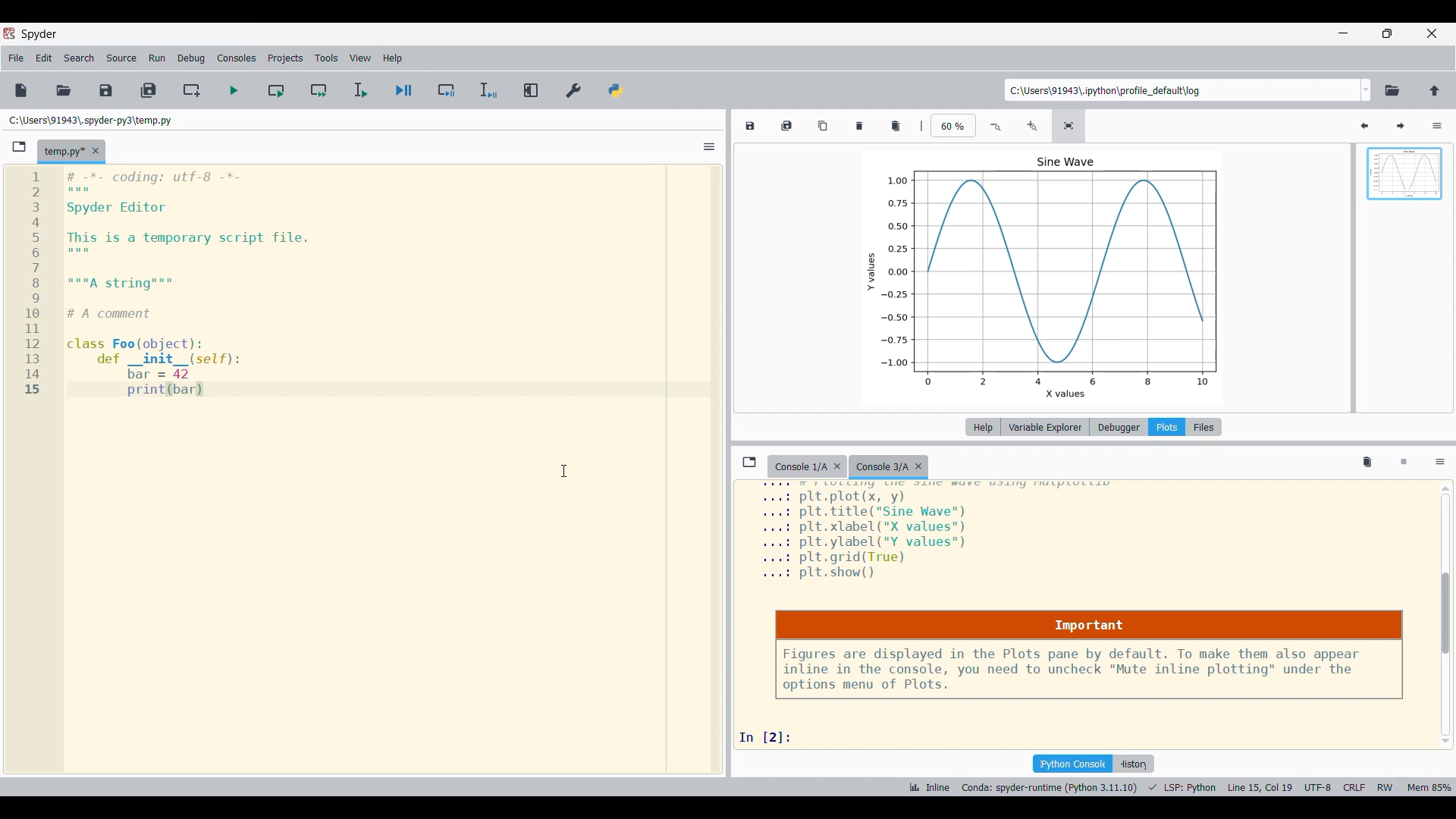 The width and height of the screenshot is (1456, 819). What do you see at coordinates (1367, 89) in the screenshot?
I see `Location options` at bounding box center [1367, 89].